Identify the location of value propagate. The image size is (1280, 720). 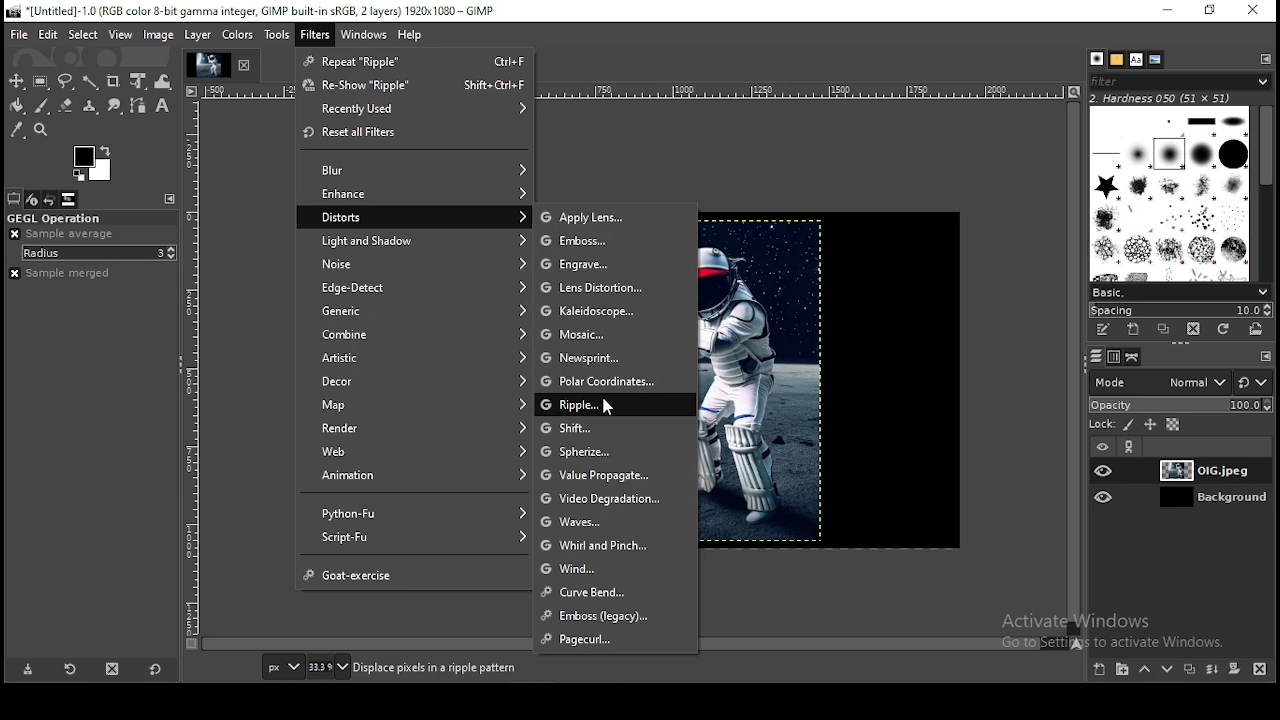
(597, 472).